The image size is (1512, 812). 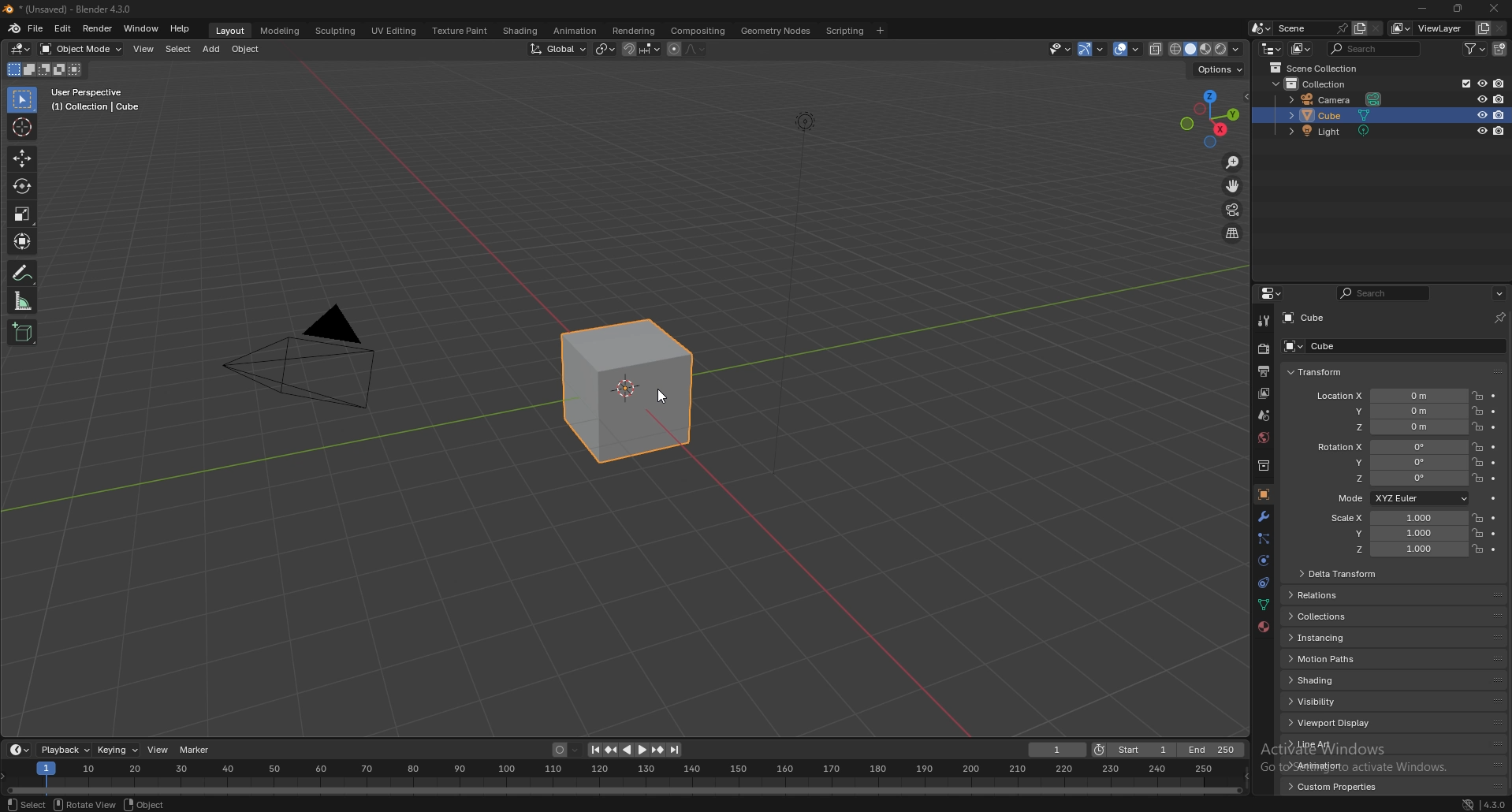 I want to click on auto keying, so click(x=564, y=750).